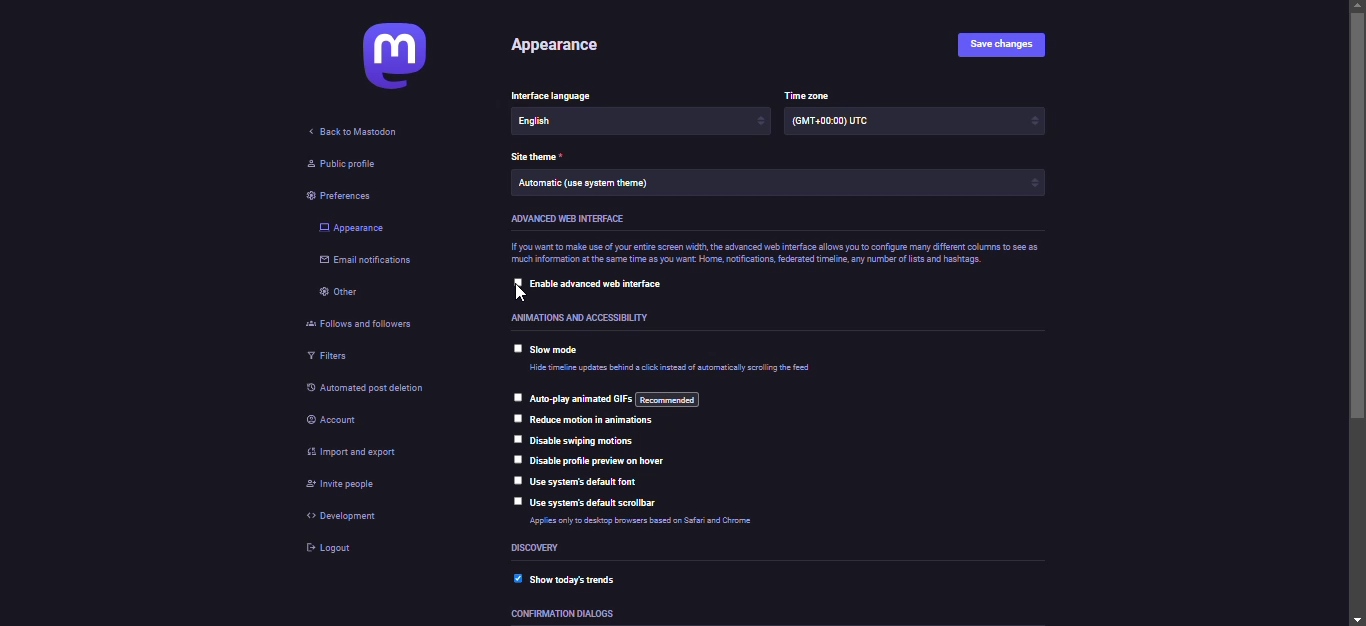 The width and height of the screenshot is (1366, 626). What do you see at coordinates (559, 97) in the screenshot?
I see `Interface language` at bounding box center [559, 97].